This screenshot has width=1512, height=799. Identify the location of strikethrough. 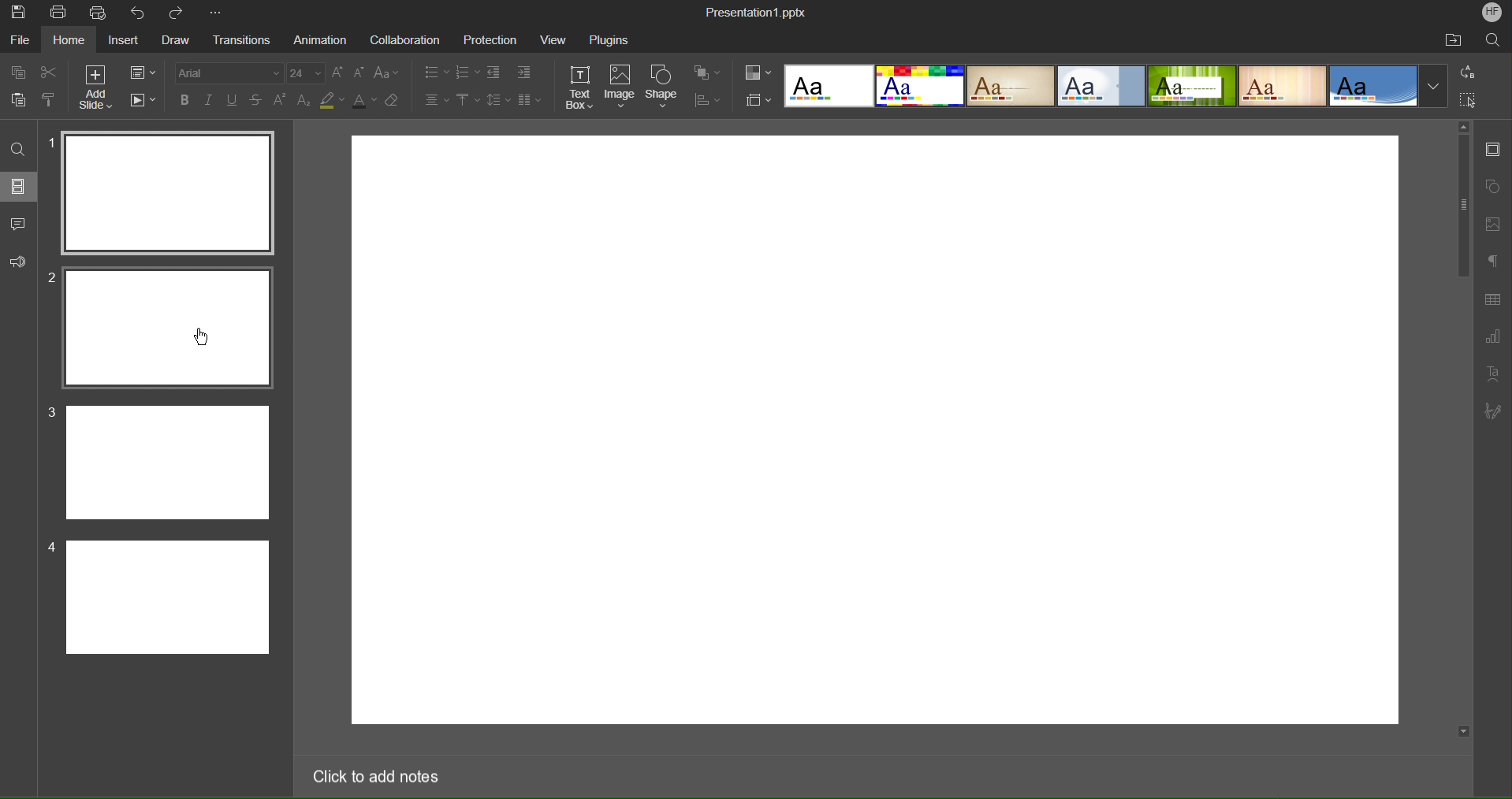
(257, 101).